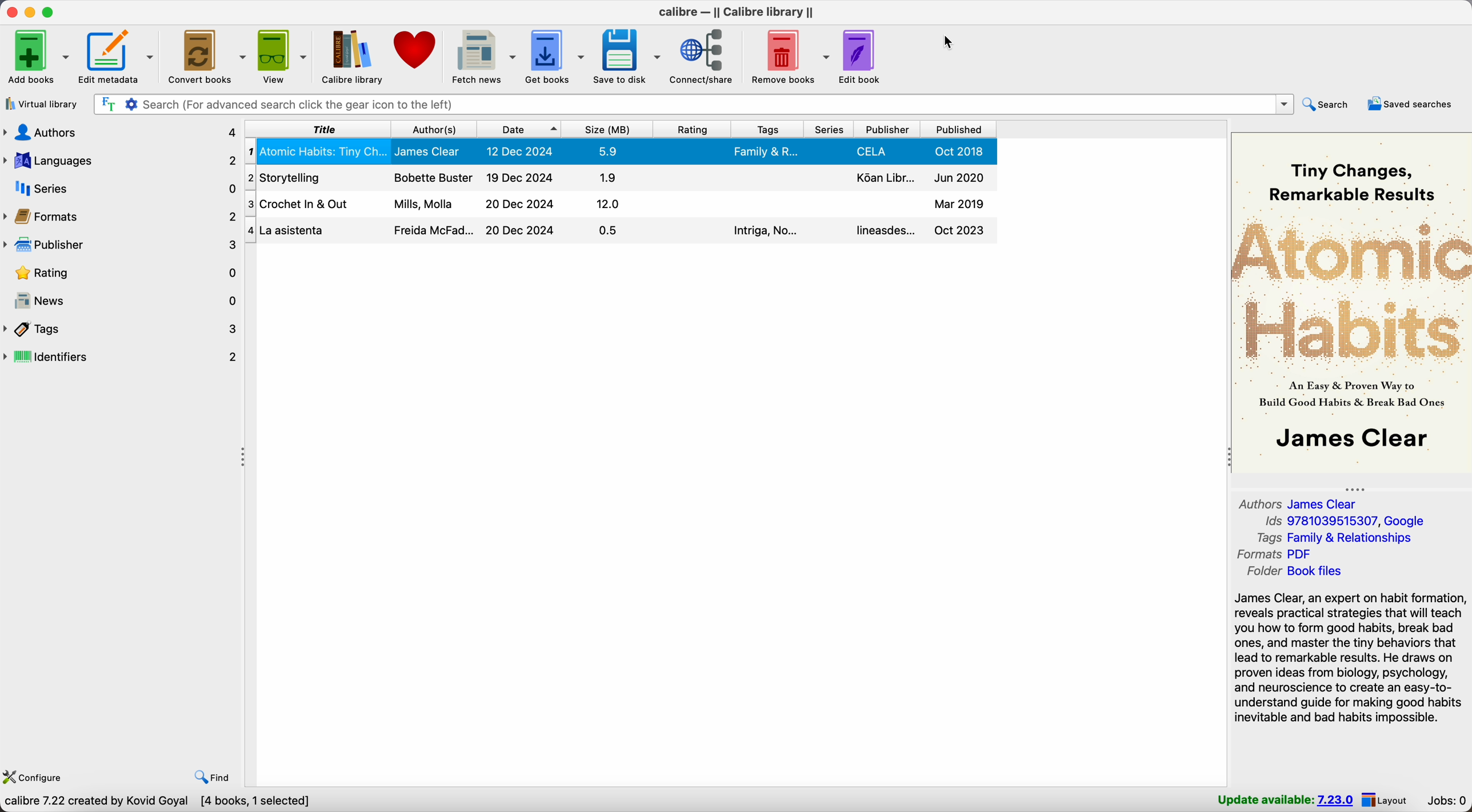  Describe the element at coordinates (694, 128) in the screenshot. I see `rating` at that location.